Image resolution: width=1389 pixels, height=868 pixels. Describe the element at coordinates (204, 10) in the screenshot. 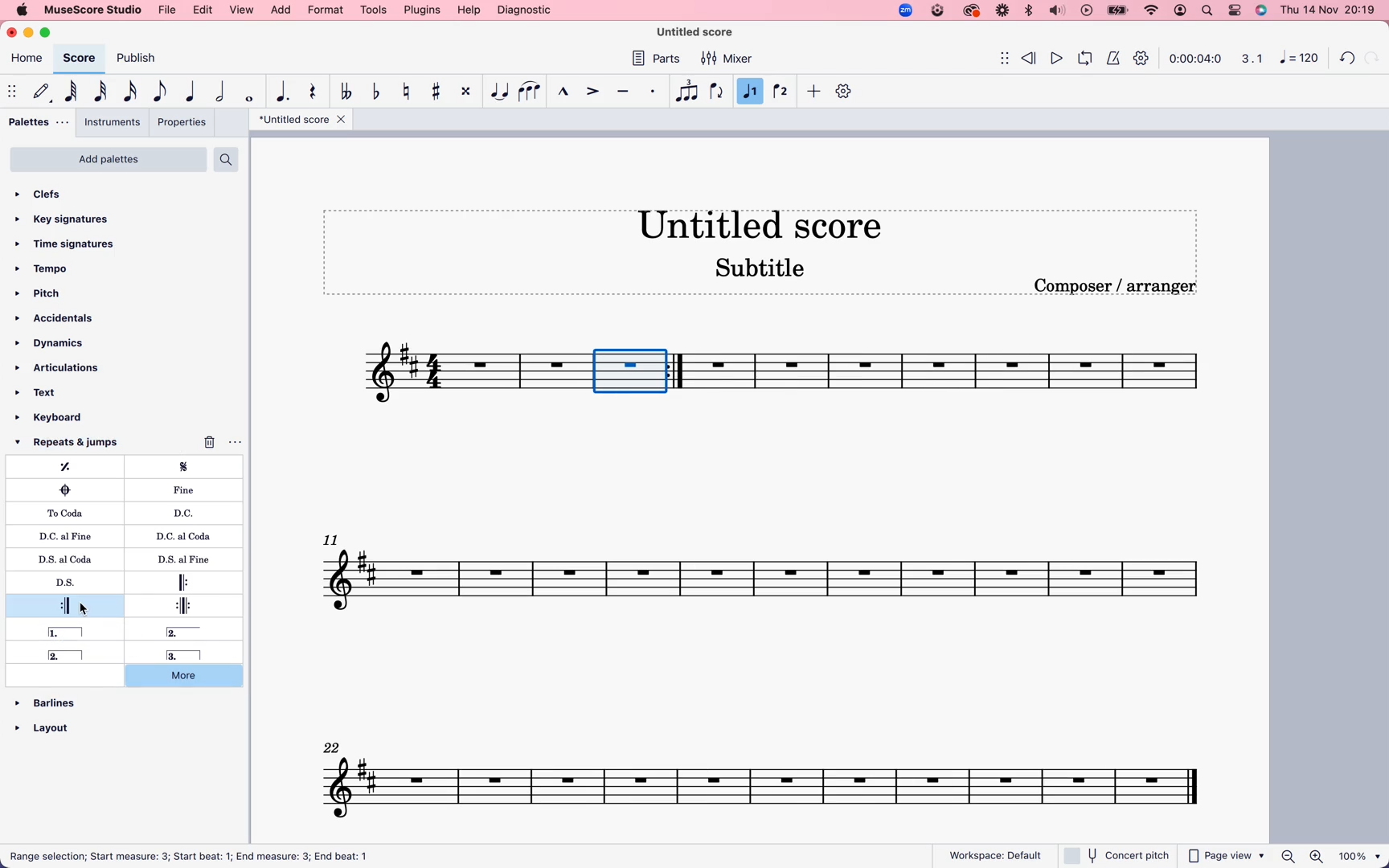

I see `edit` at that location.